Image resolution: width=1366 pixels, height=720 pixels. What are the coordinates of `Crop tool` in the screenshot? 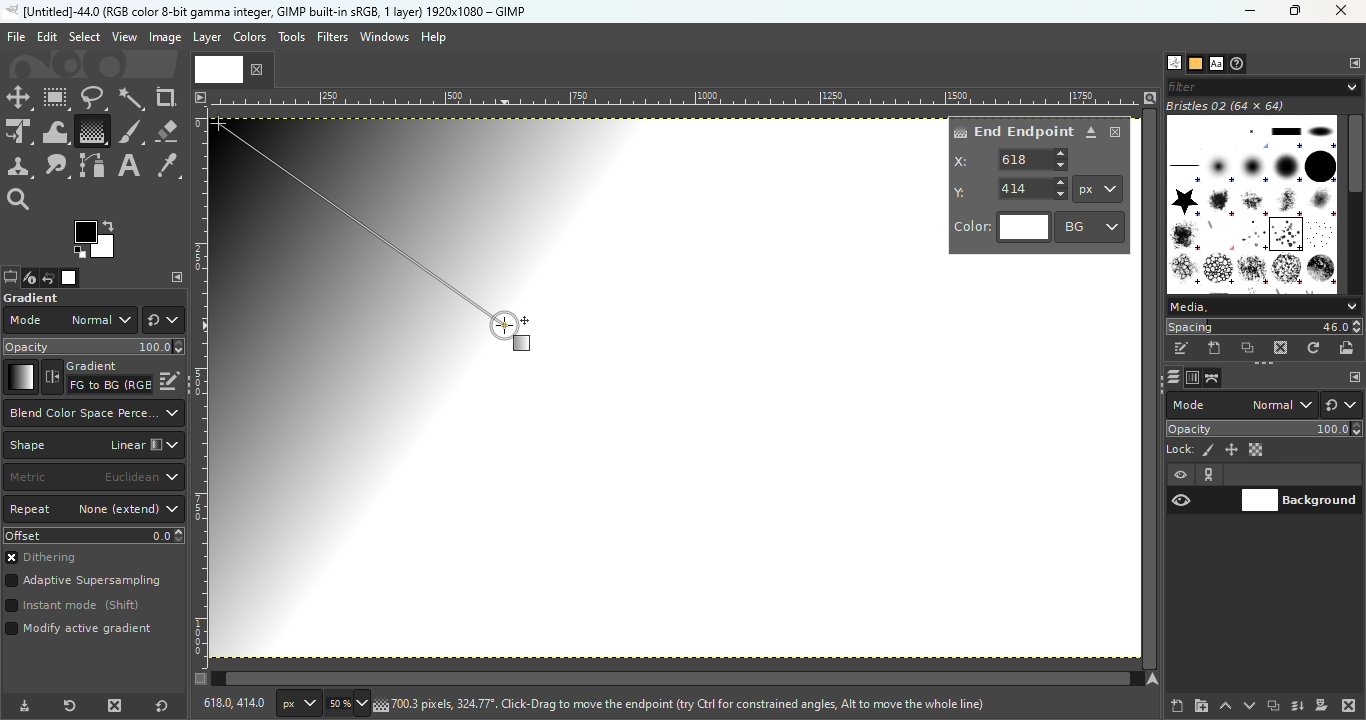 It's located at (166, 97).